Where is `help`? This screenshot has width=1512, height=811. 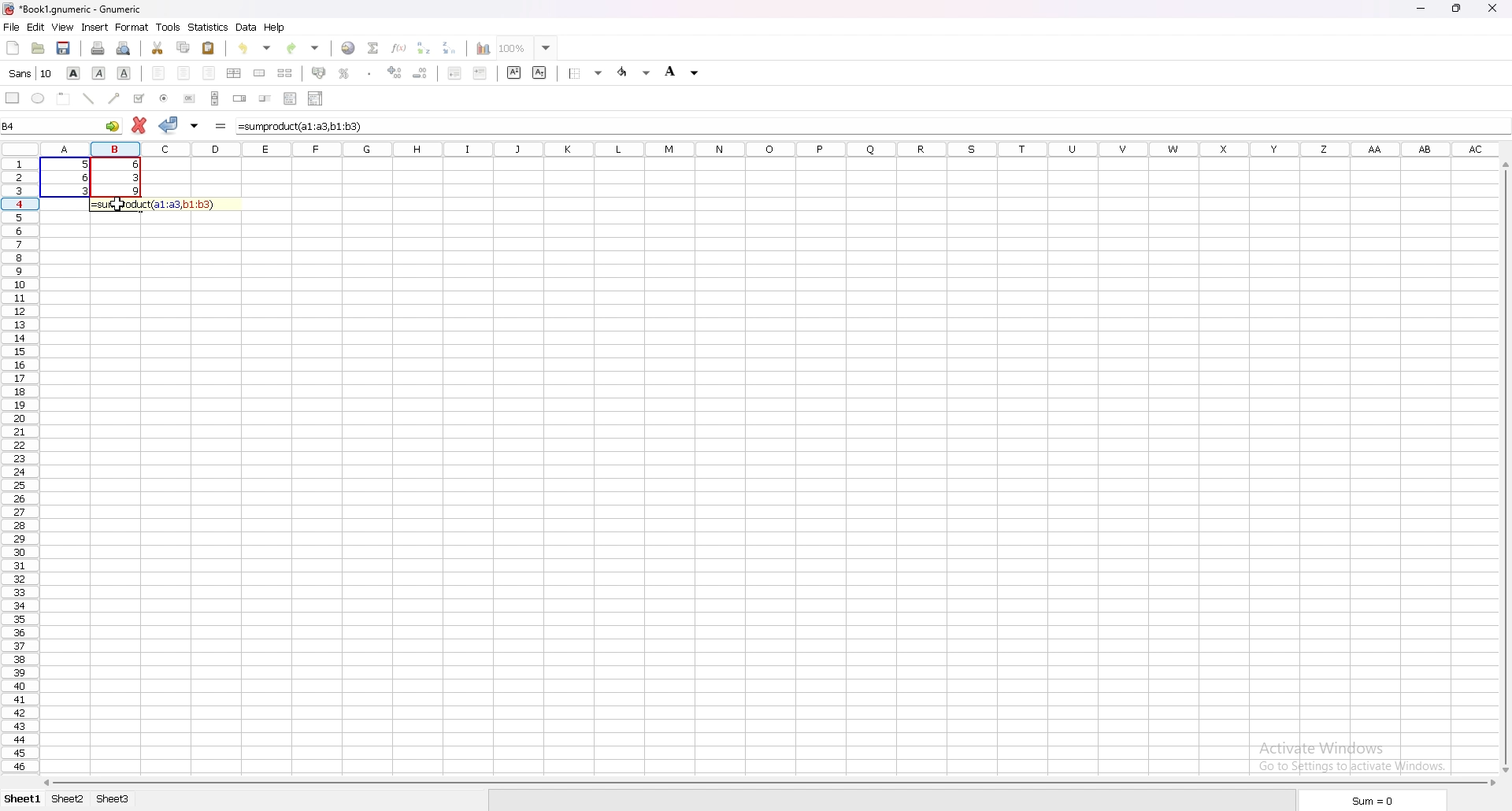
help is located at coordinates (275, 28).